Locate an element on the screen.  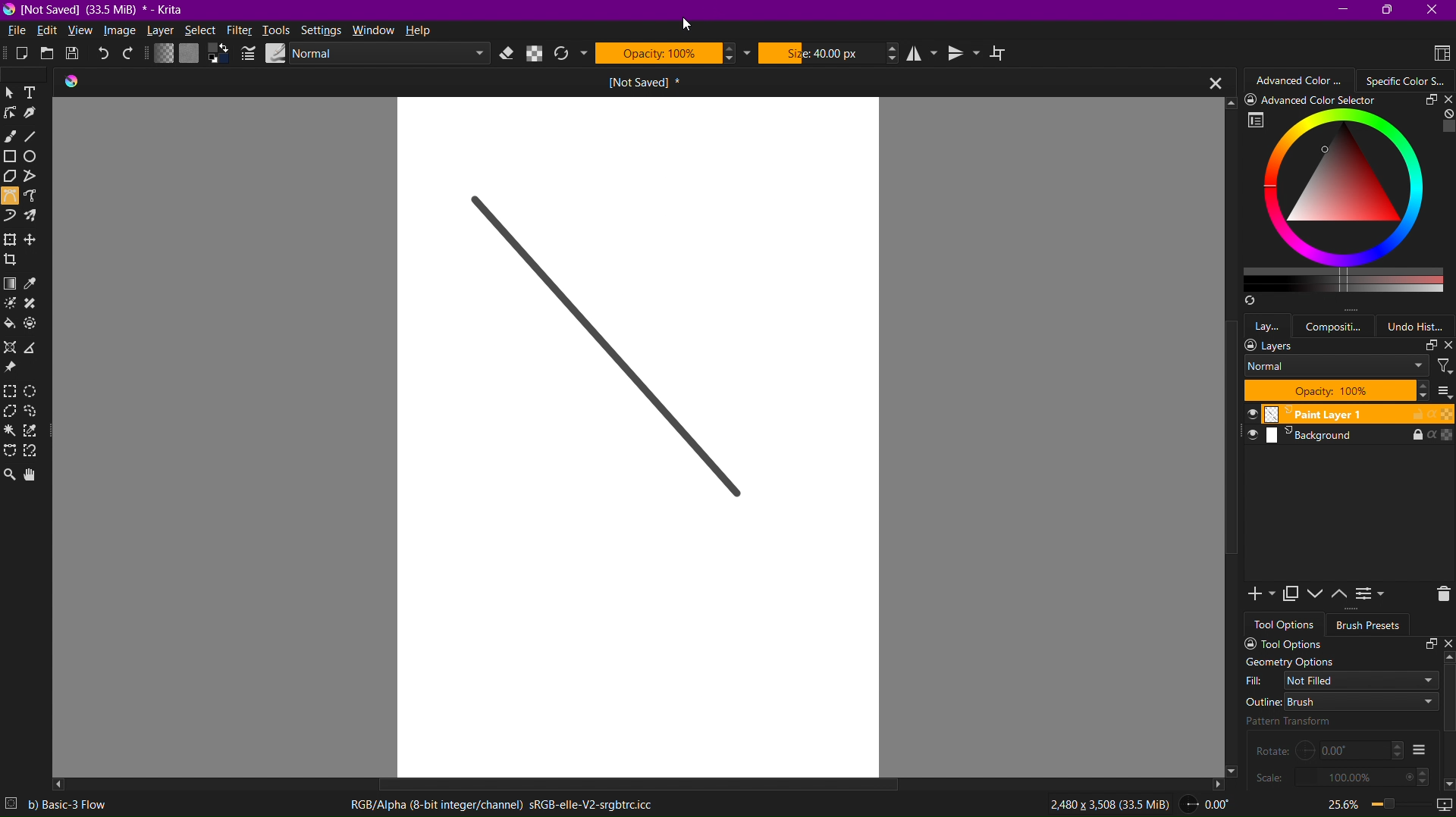
Move a Layer is located at coordinates (35, 240).